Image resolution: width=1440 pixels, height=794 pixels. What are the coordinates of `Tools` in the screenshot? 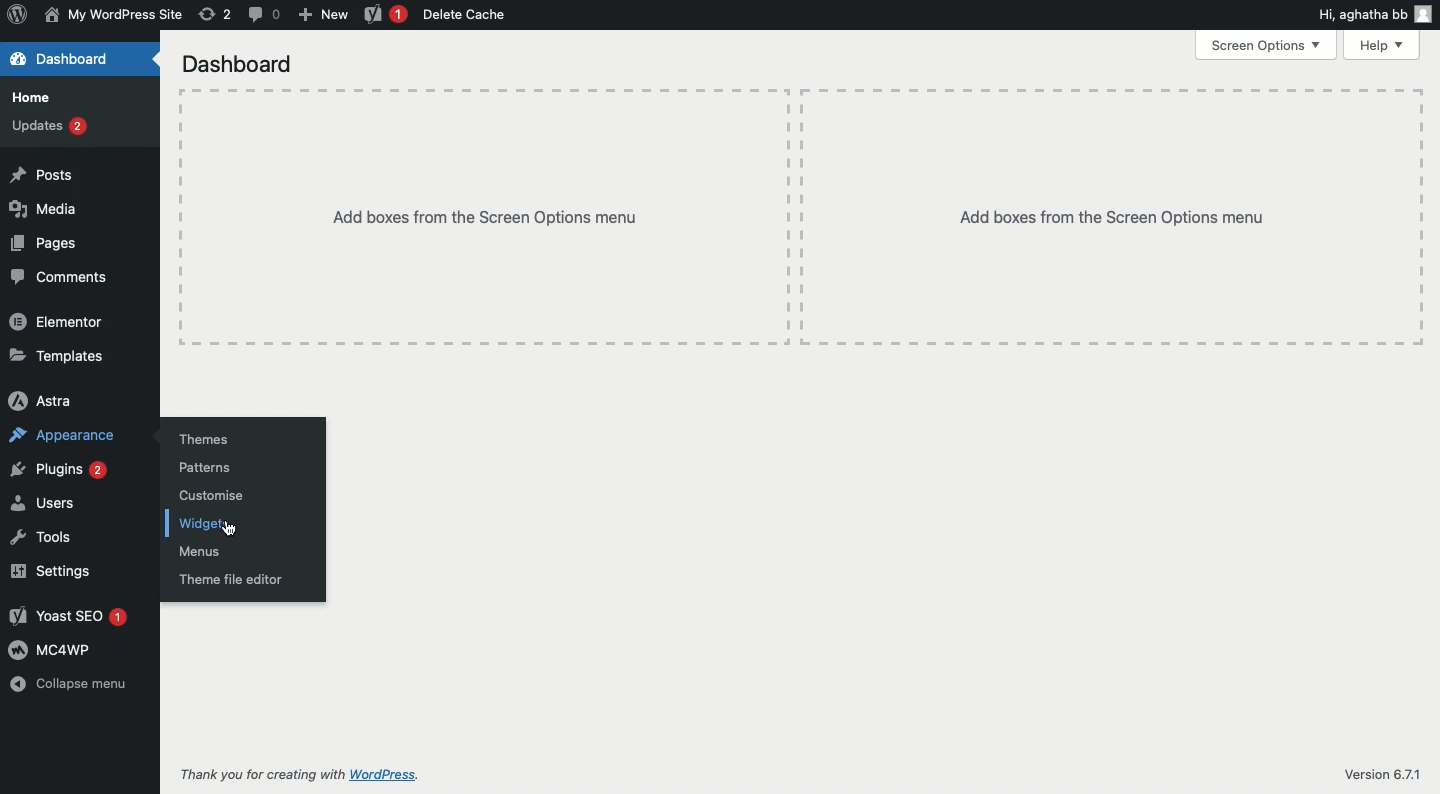 It's located at (40, 536).